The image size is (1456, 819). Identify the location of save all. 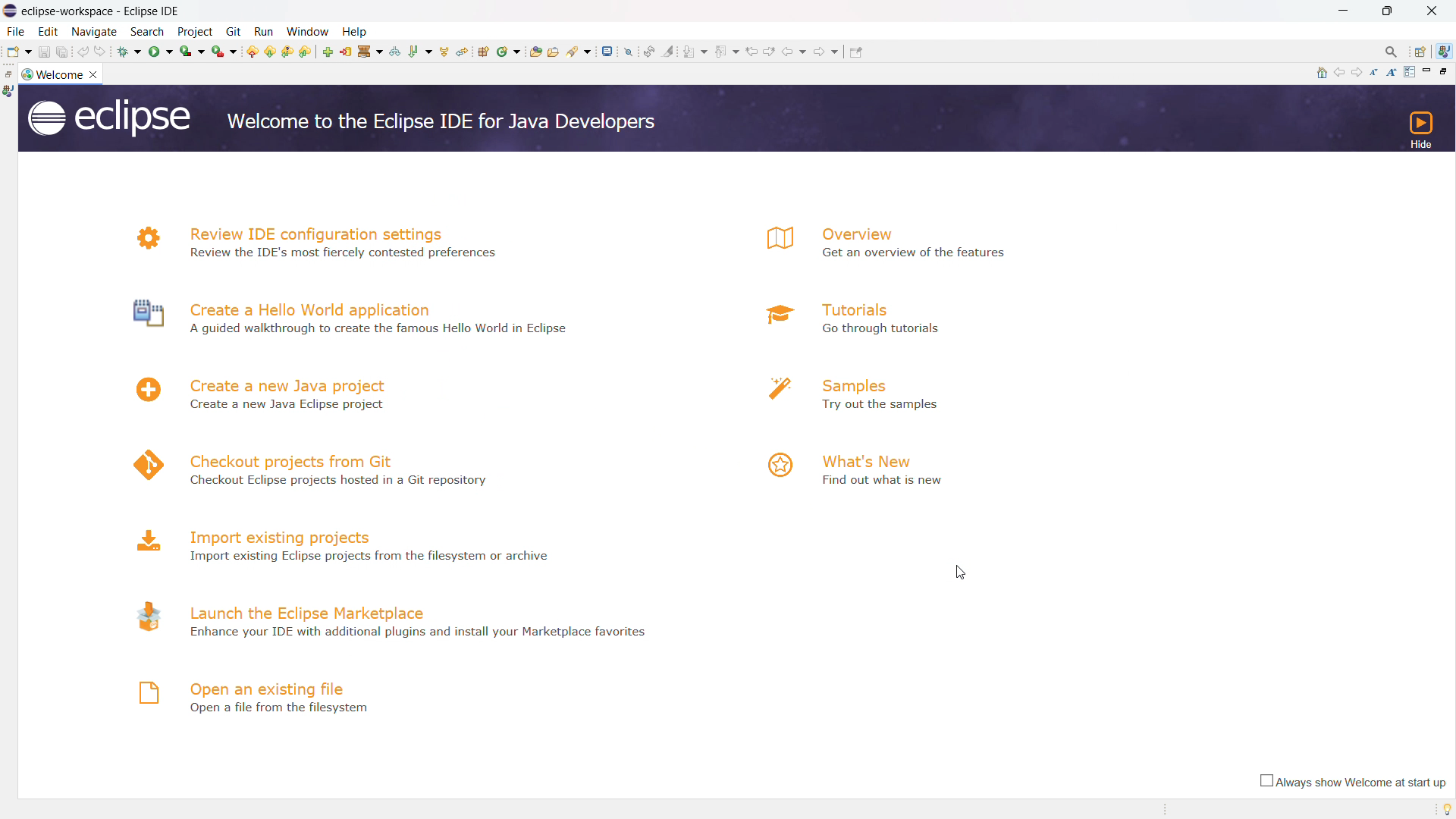
(63, 52).